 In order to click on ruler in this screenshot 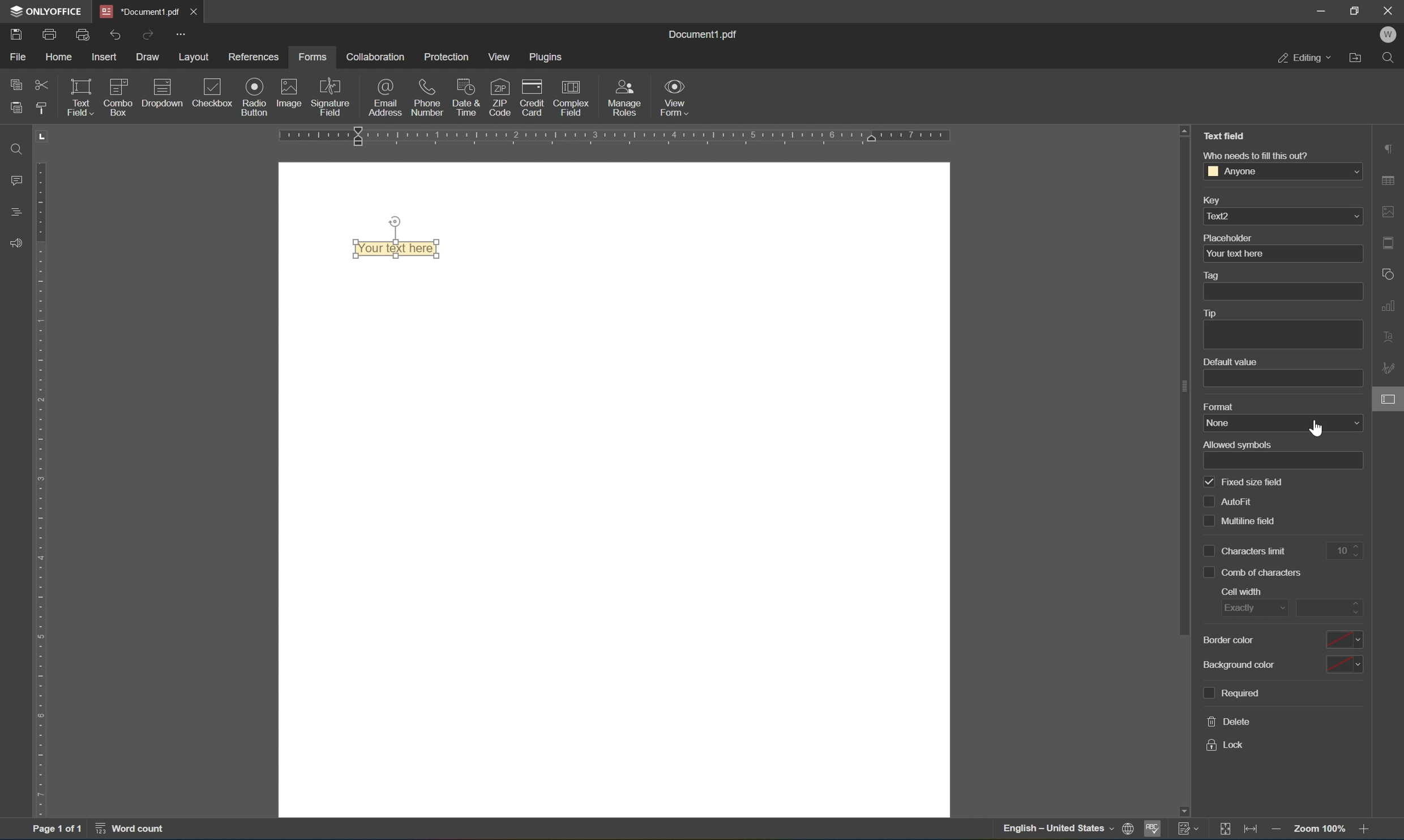, I will do `click(614, 137)`.